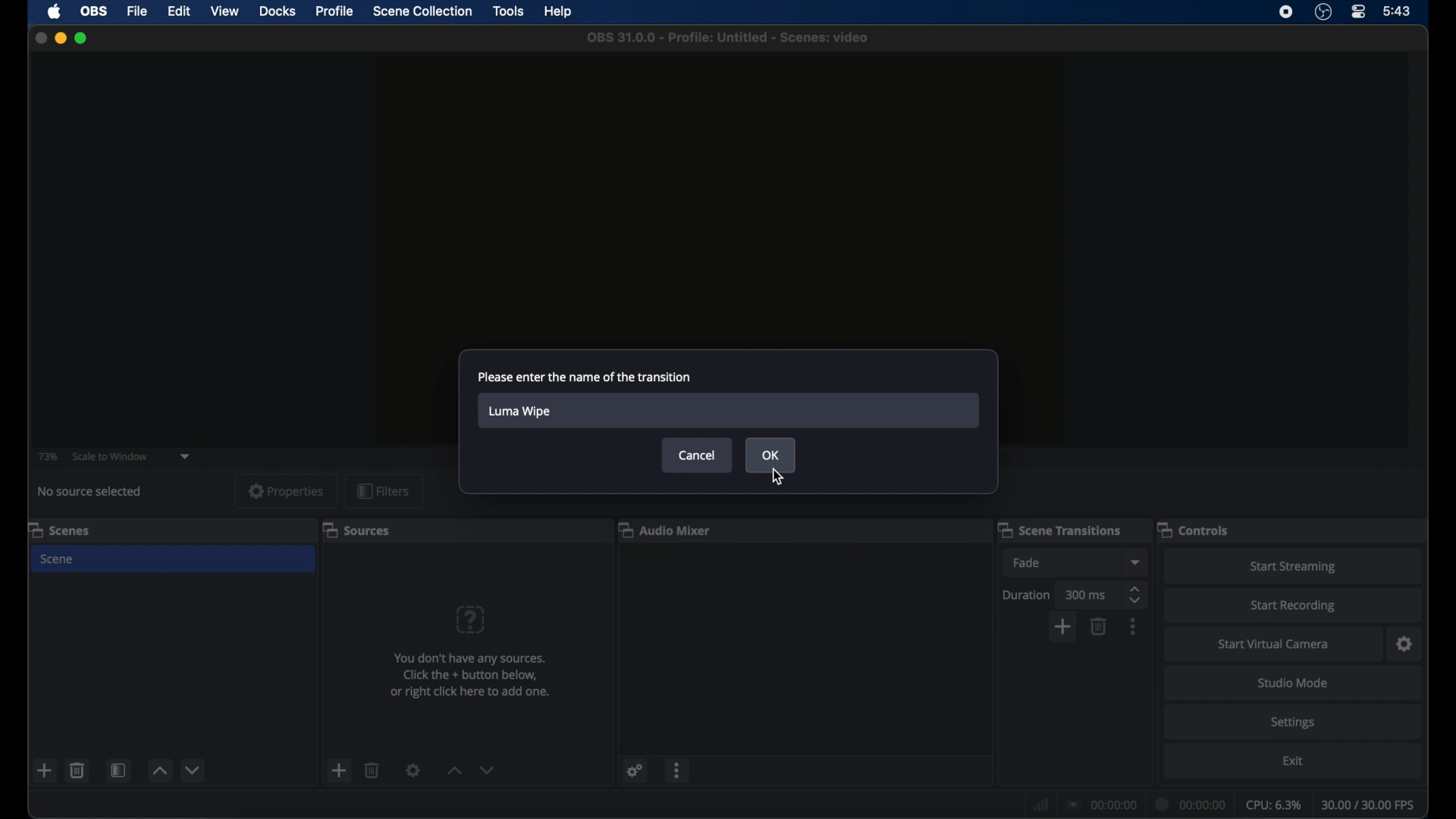 This screenshot has height=819, width=1456. I want to click on minimize, so click(61, 38).